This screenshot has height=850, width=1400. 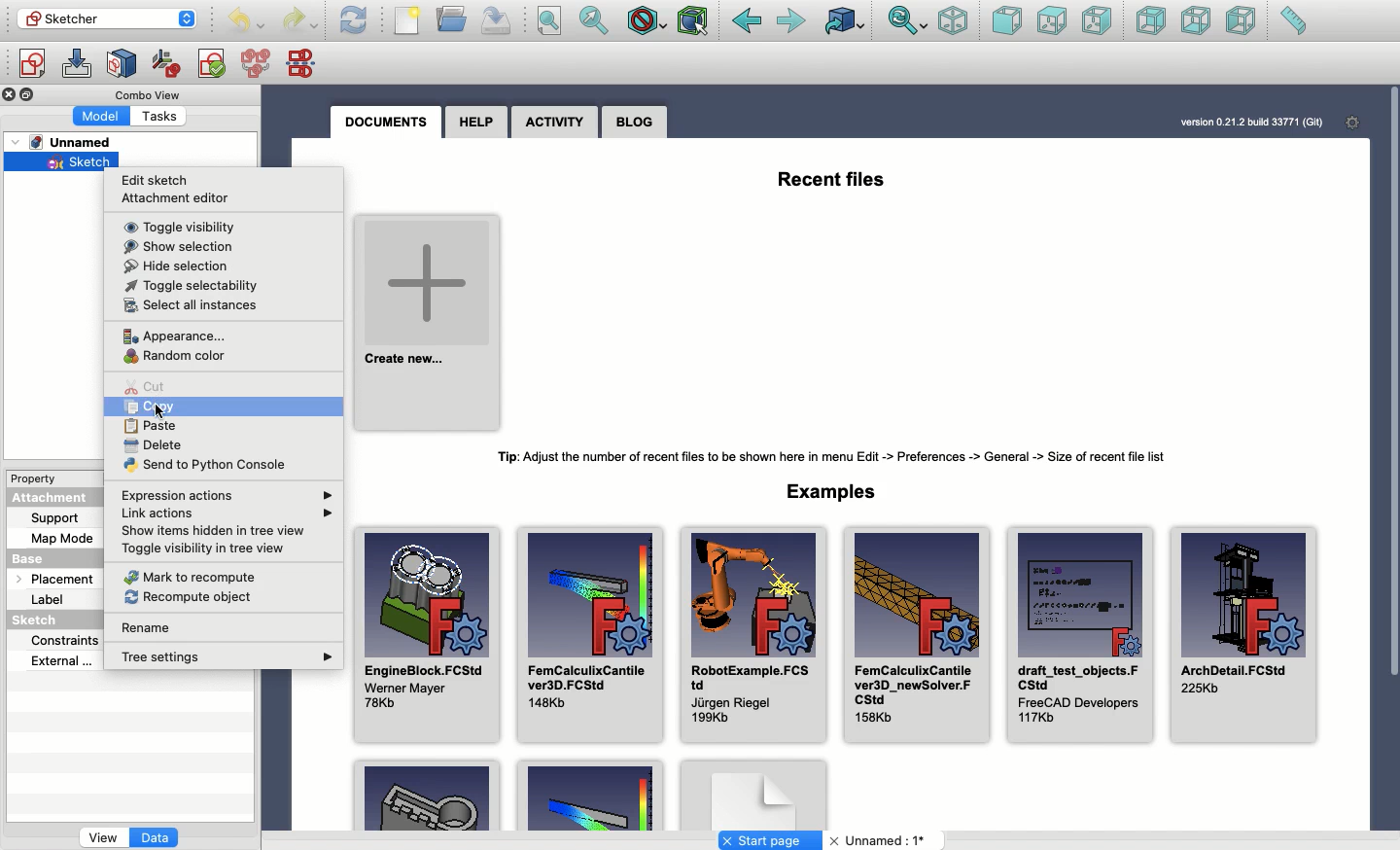 What do you see at coordinates (1052, 21) in the screenshot?
I see `Top` at bounding box center [1052, 21].